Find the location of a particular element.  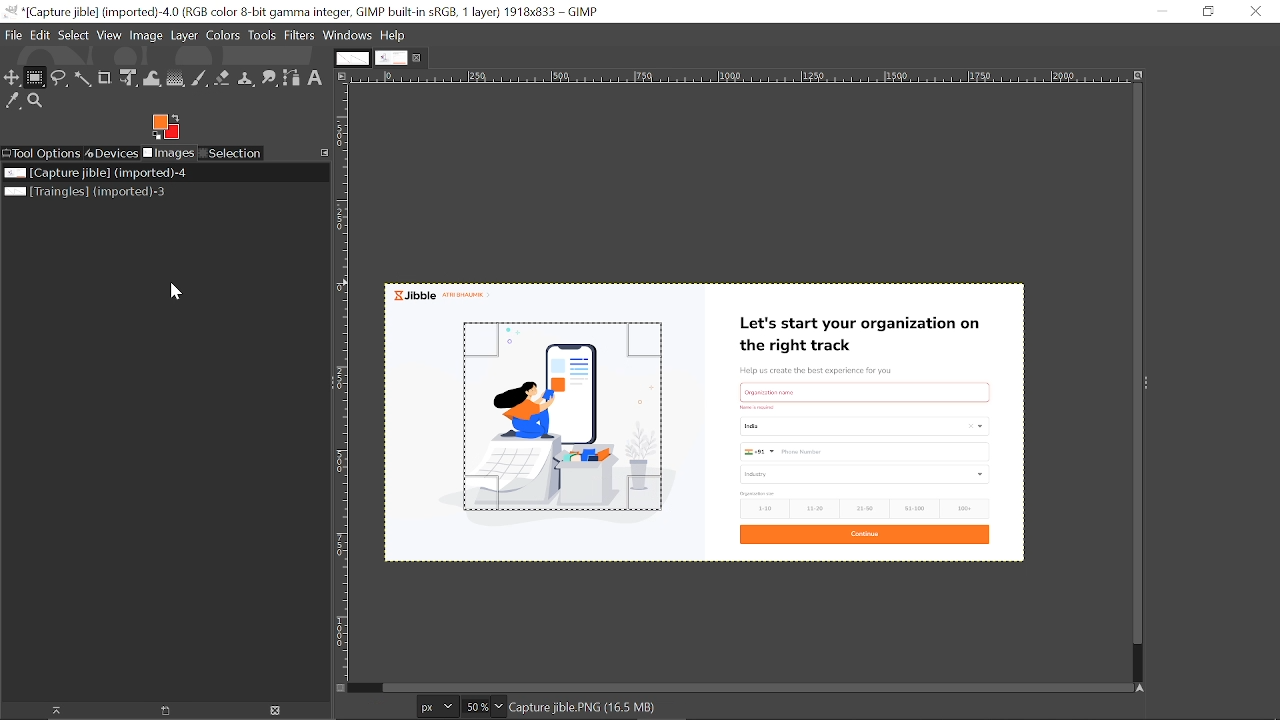

image is located at coordinates (873, 425).